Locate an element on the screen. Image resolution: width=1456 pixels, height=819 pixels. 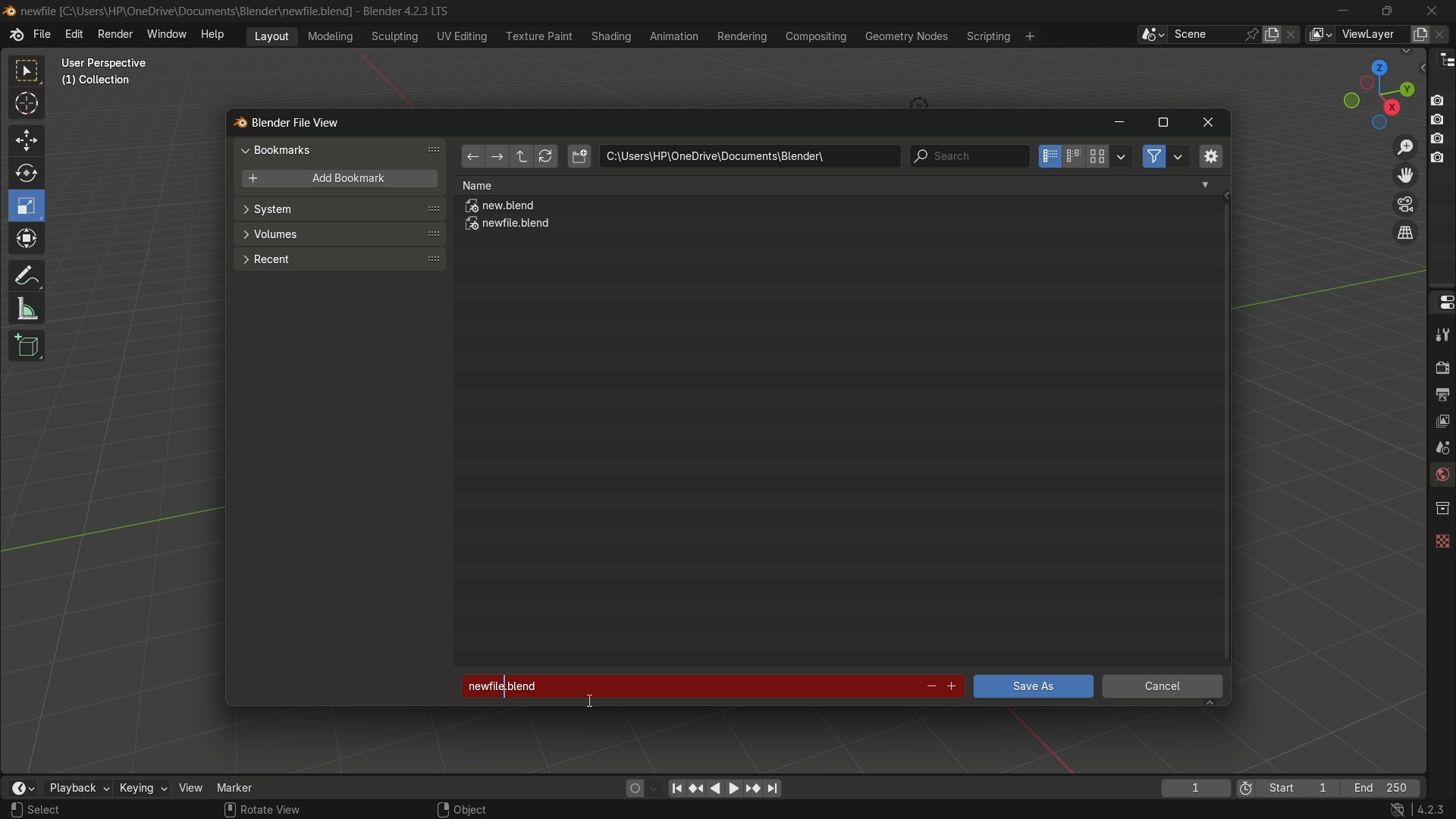
file menu is located at coordinates (42, 35).